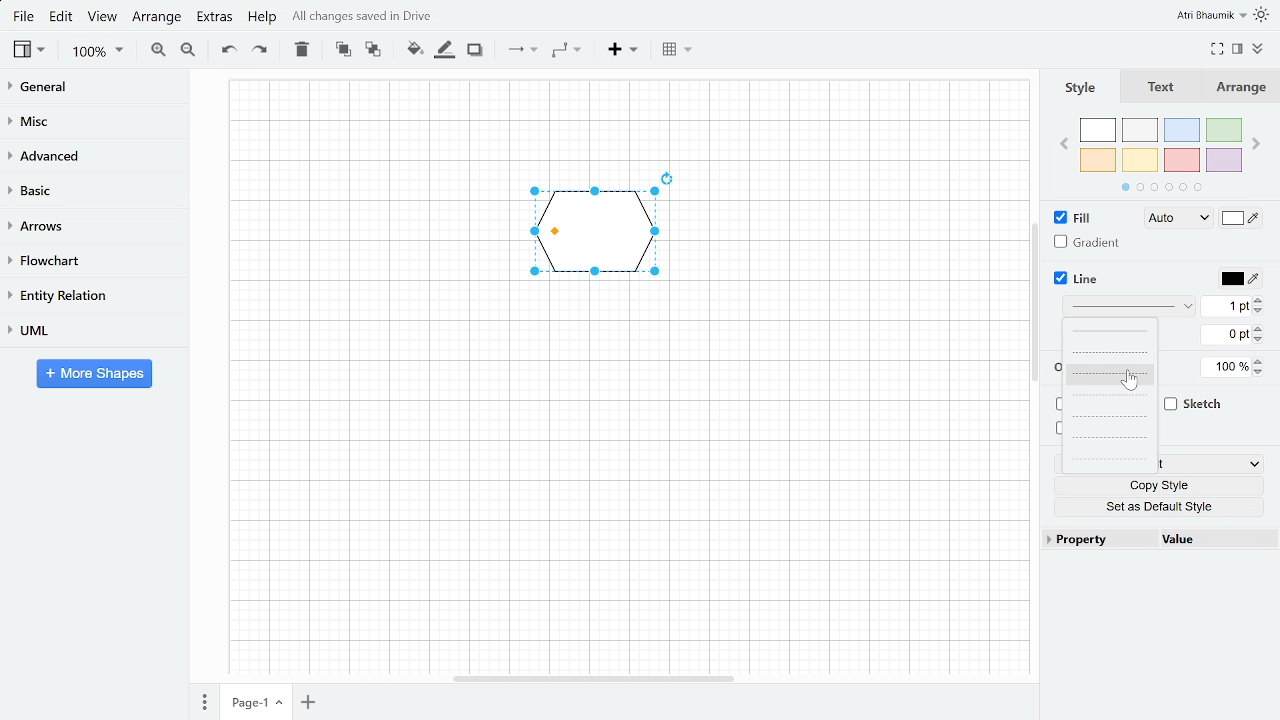 This screenshot has width=1280, height=720. What do you see at coordinates (94, 120) in the screenshot?
I see `Misc` at bounding box center [94, 120].